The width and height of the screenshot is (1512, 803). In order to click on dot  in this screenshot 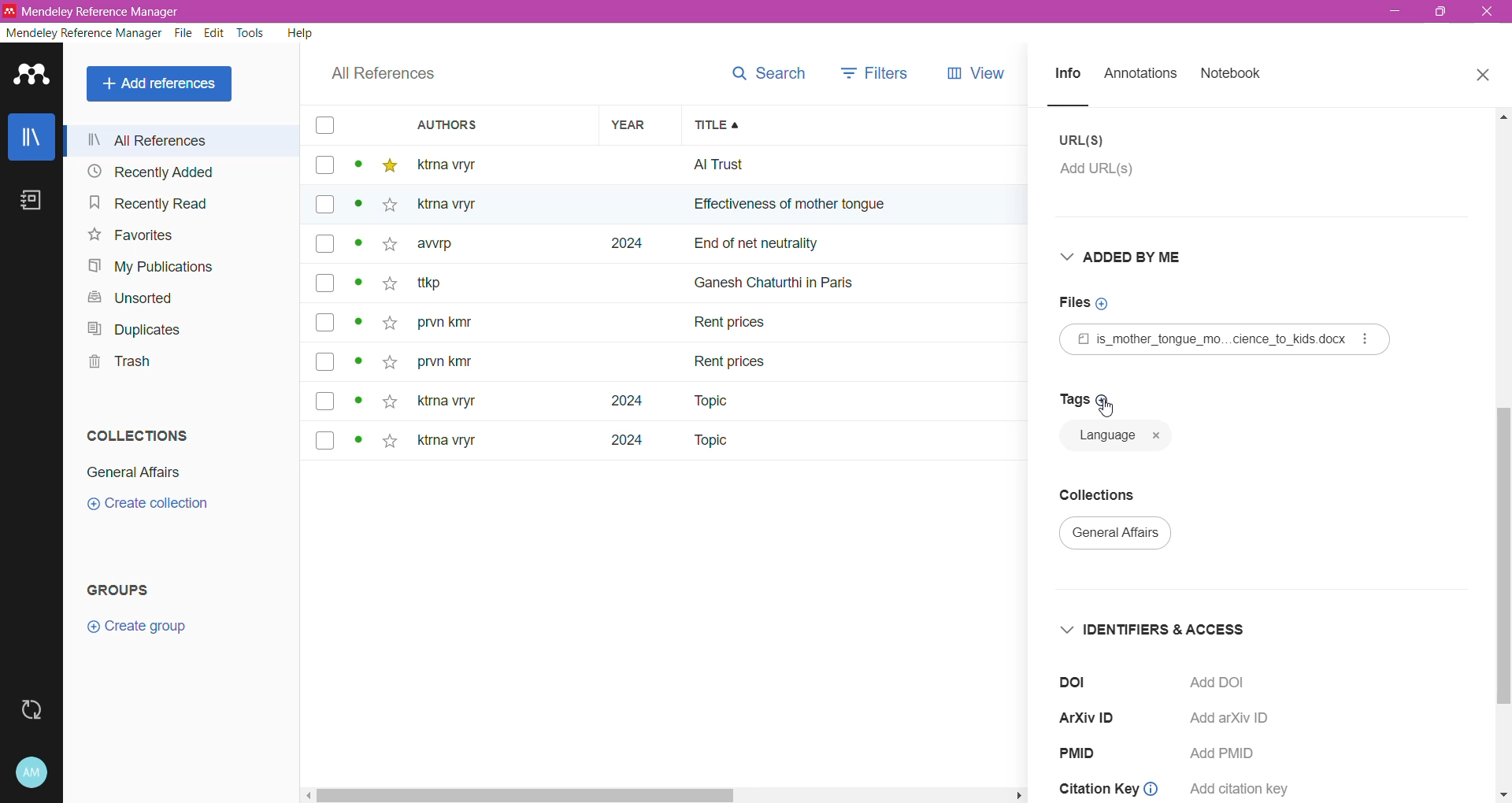, I will do `click(357, 326)`.